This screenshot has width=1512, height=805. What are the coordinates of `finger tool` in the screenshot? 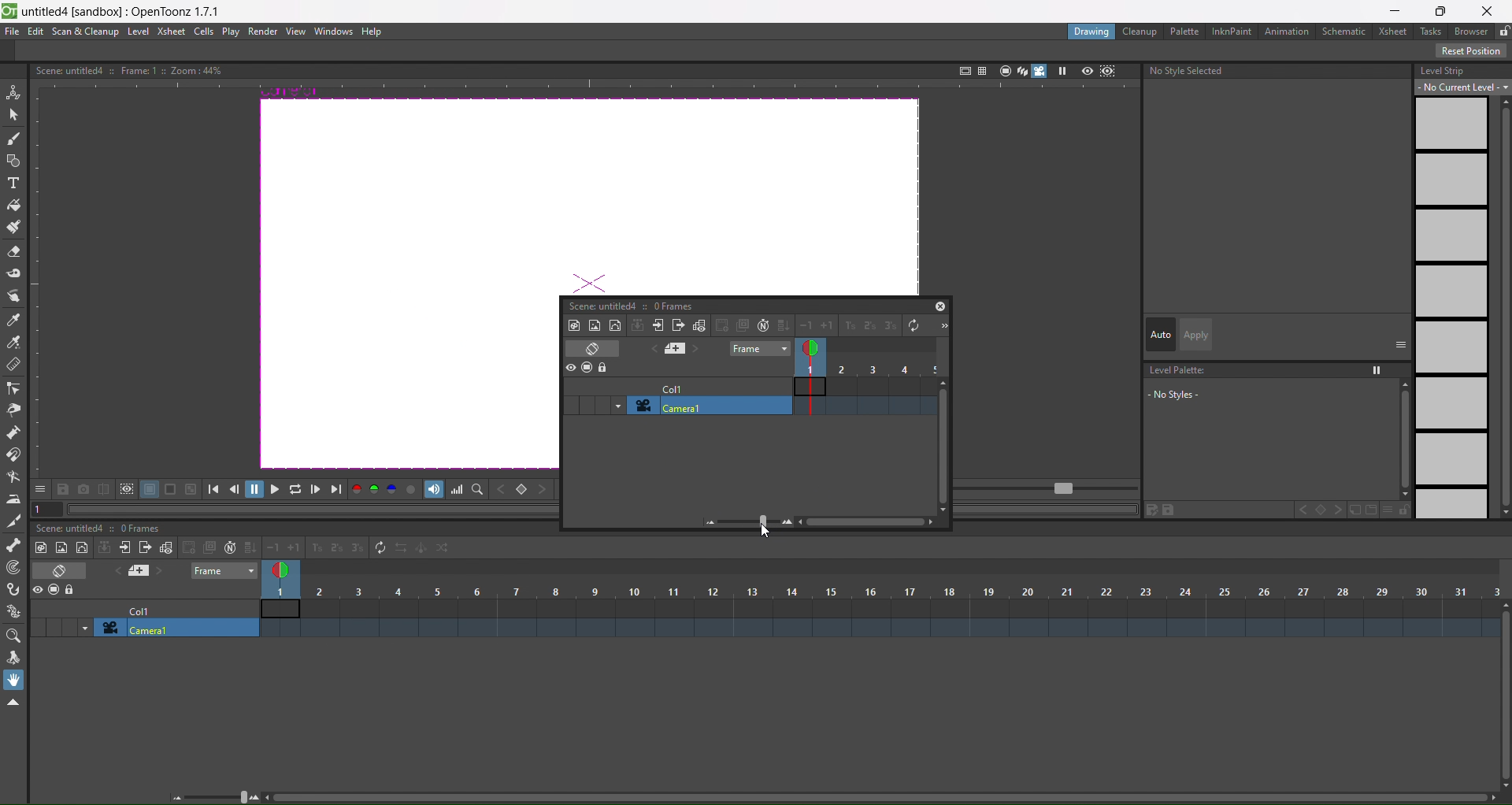 It's located at (14, 298).